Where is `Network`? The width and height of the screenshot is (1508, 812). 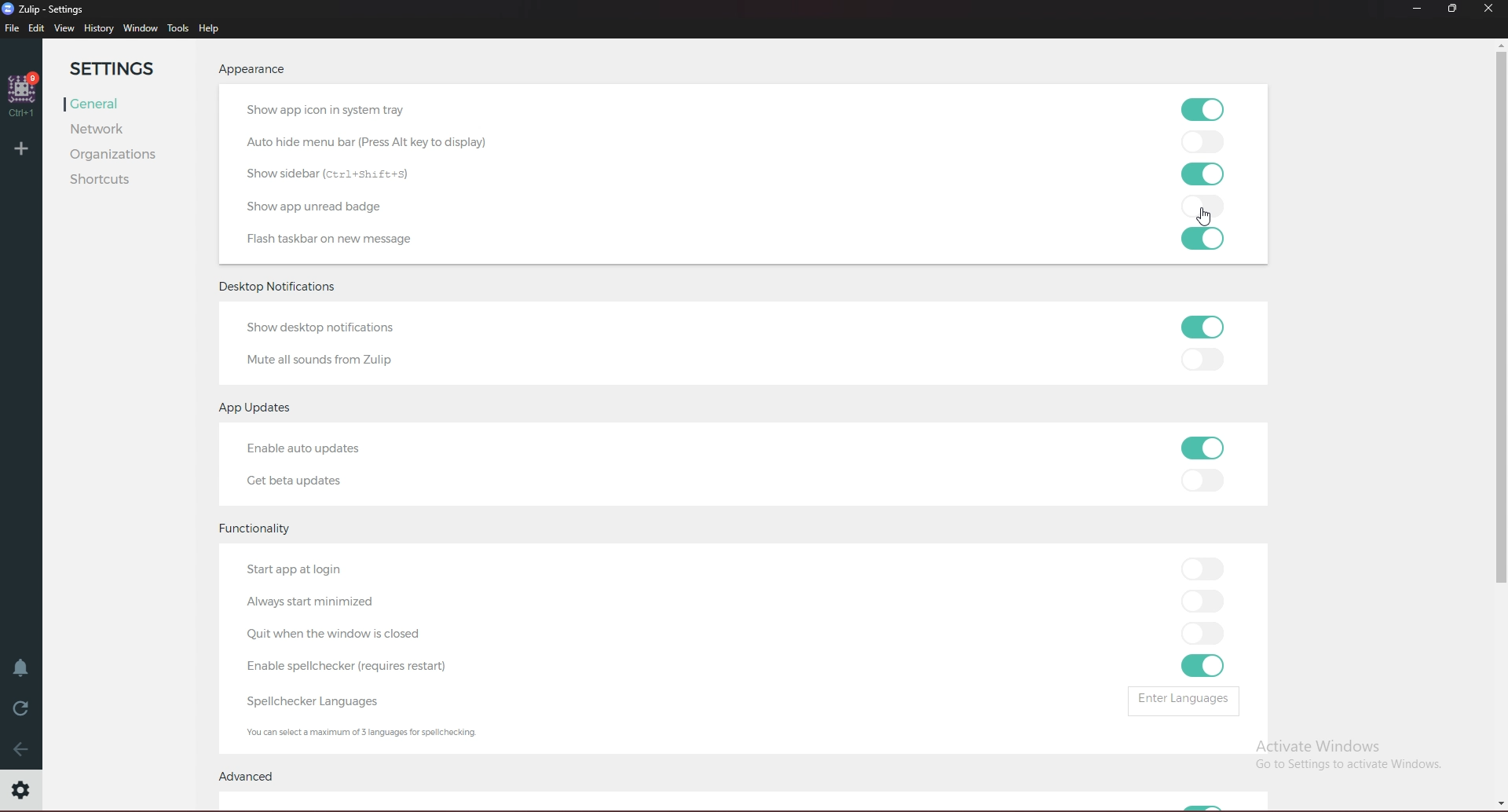 Network is located at coordinates (116, 131).